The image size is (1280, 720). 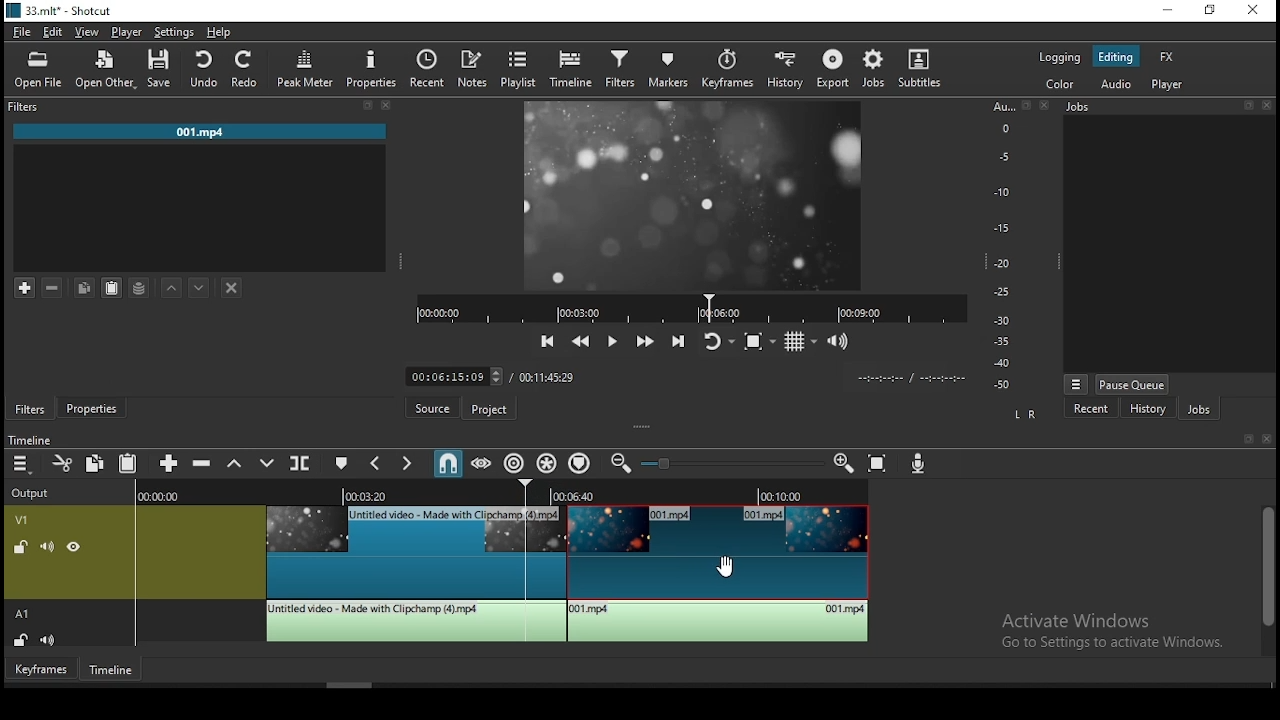 What do you see at coordinates (734, 463) in the screenshot?
I see `zoom in or zoom out slider` at bounding box center [734, 463].